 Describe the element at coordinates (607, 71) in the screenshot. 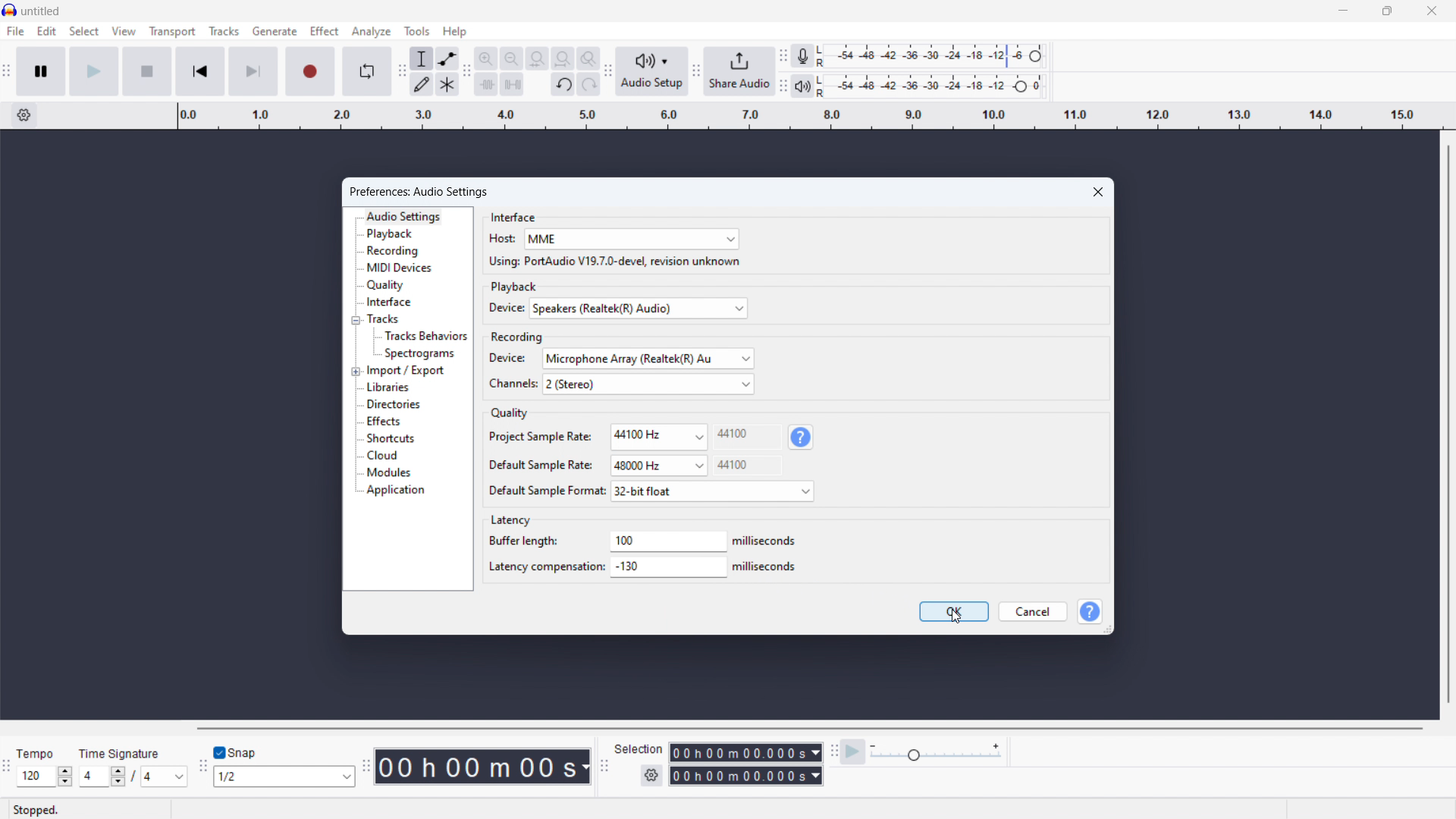

I see `audio setup toolbar` at that location.